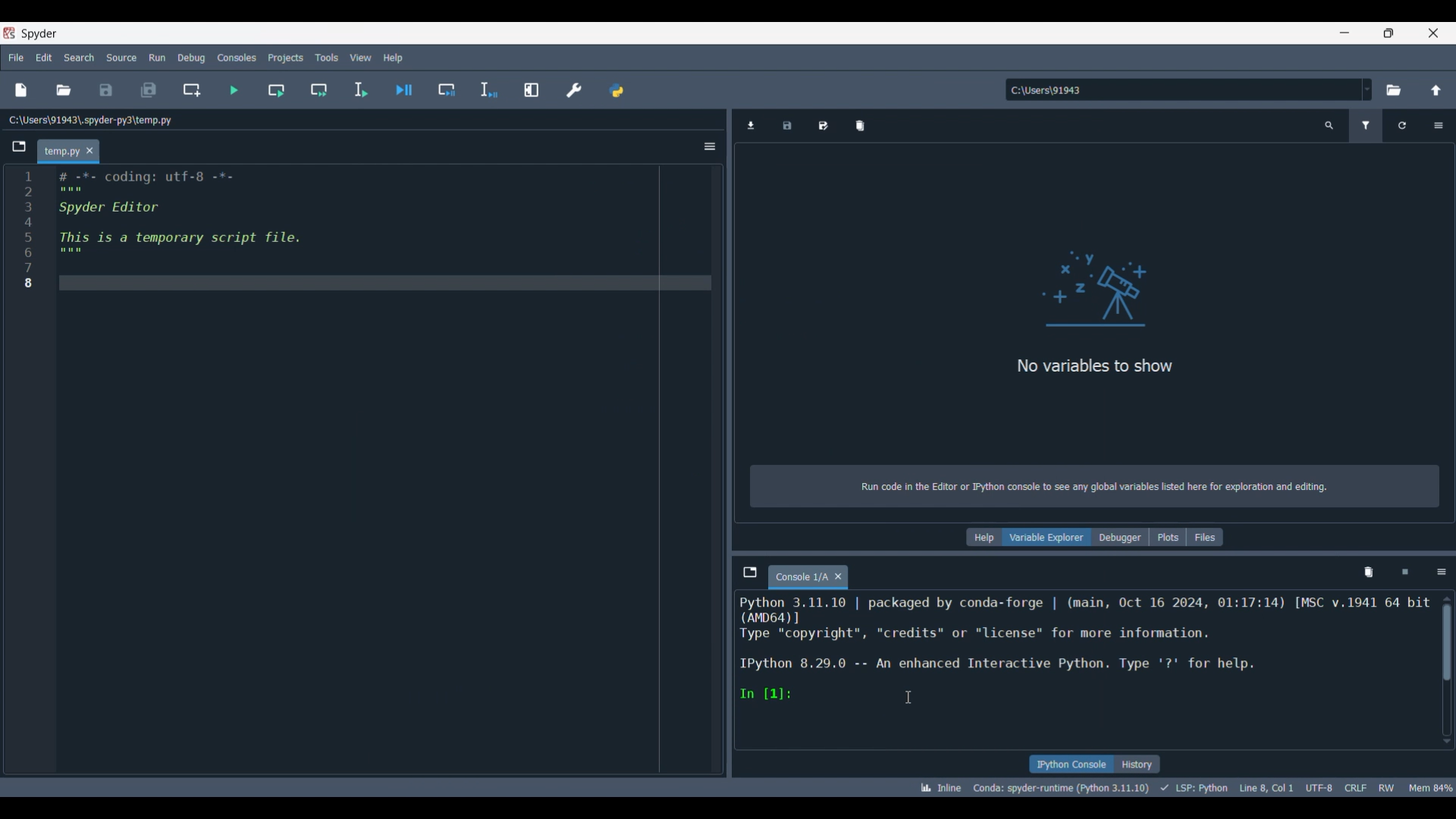 The image size is (1456, 819). I want to click on Current tab, so click(61, 152).